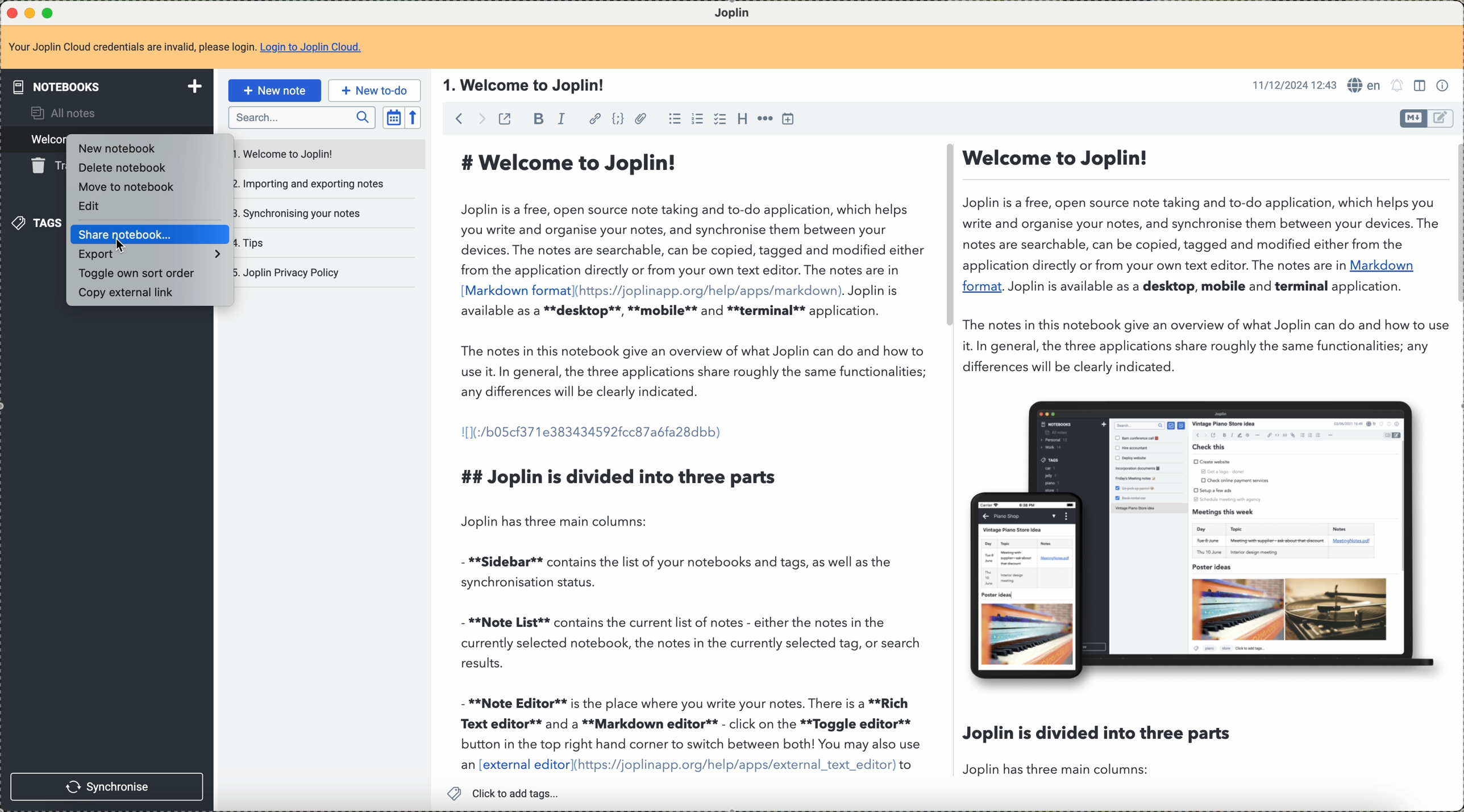 This screenshot has width=1464, height=812. What do you see at coordinates (790, 119) in the screenshot?
I see `insert time` at bounding box center [790, 119].